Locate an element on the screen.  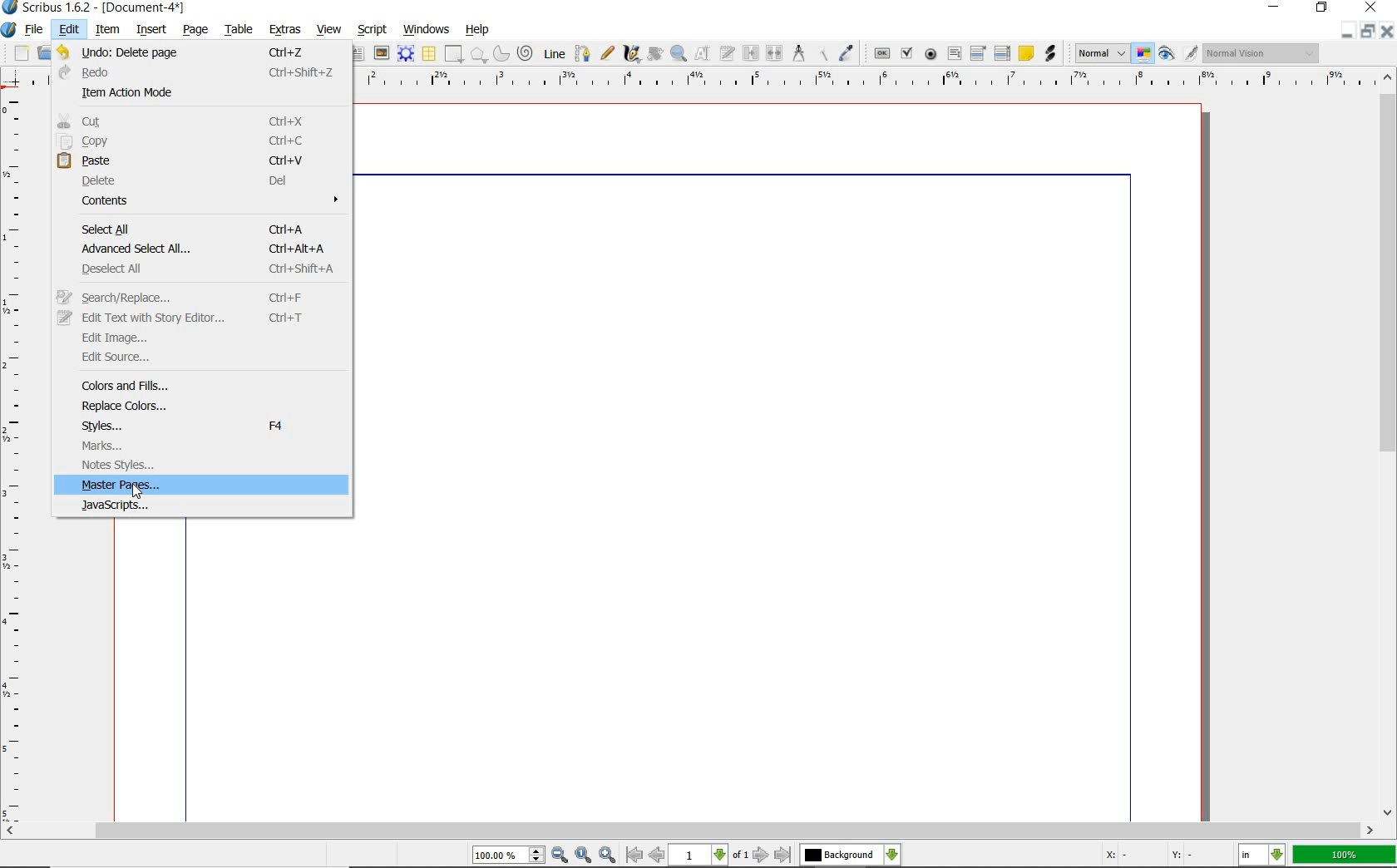
restore is located at coordinates (1323, 9).